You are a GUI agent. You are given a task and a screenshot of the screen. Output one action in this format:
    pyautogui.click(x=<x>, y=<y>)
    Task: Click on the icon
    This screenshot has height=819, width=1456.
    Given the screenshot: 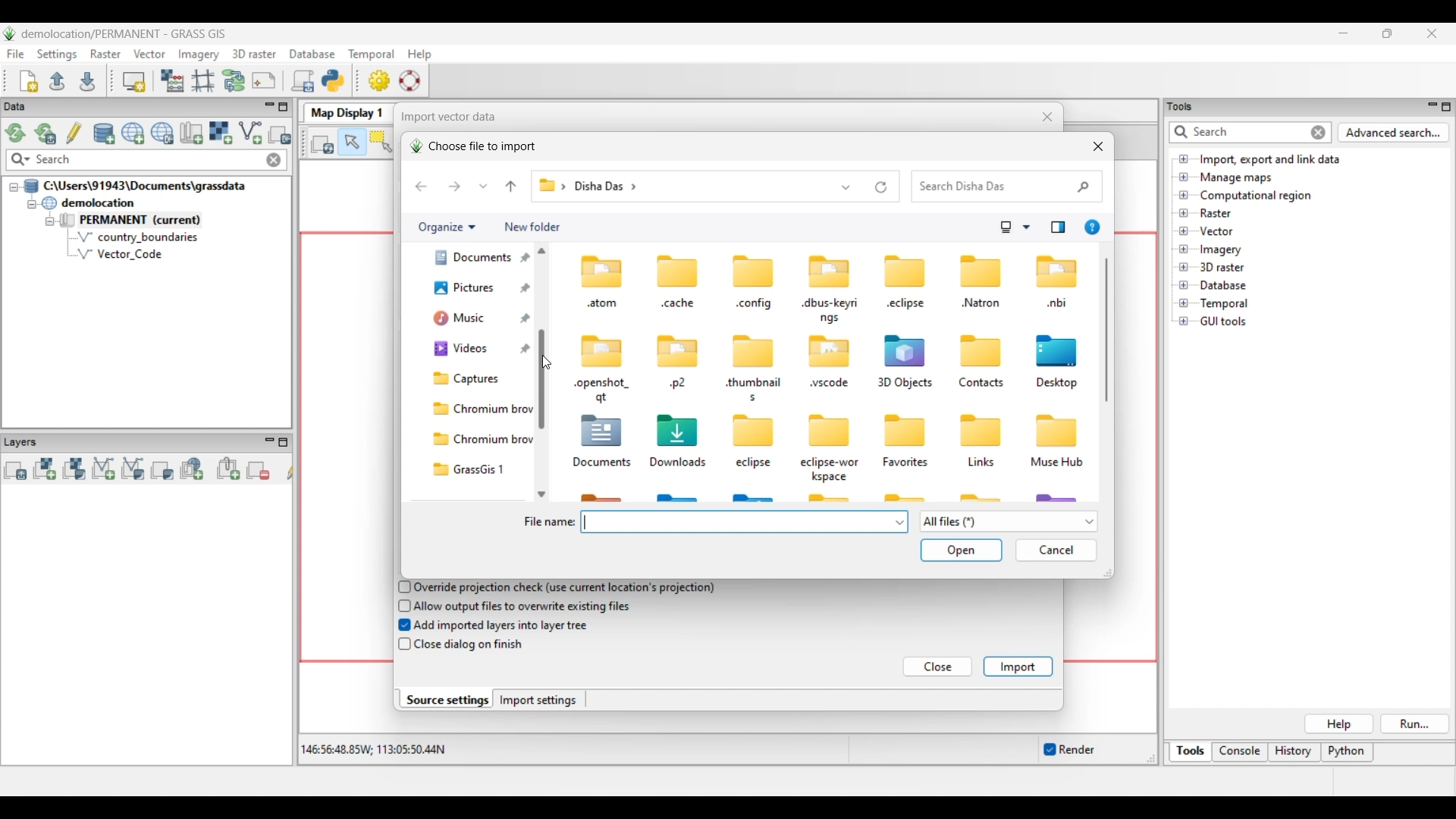 What is the action you would take?
    pyautogui.click(x=679, y=428)
    